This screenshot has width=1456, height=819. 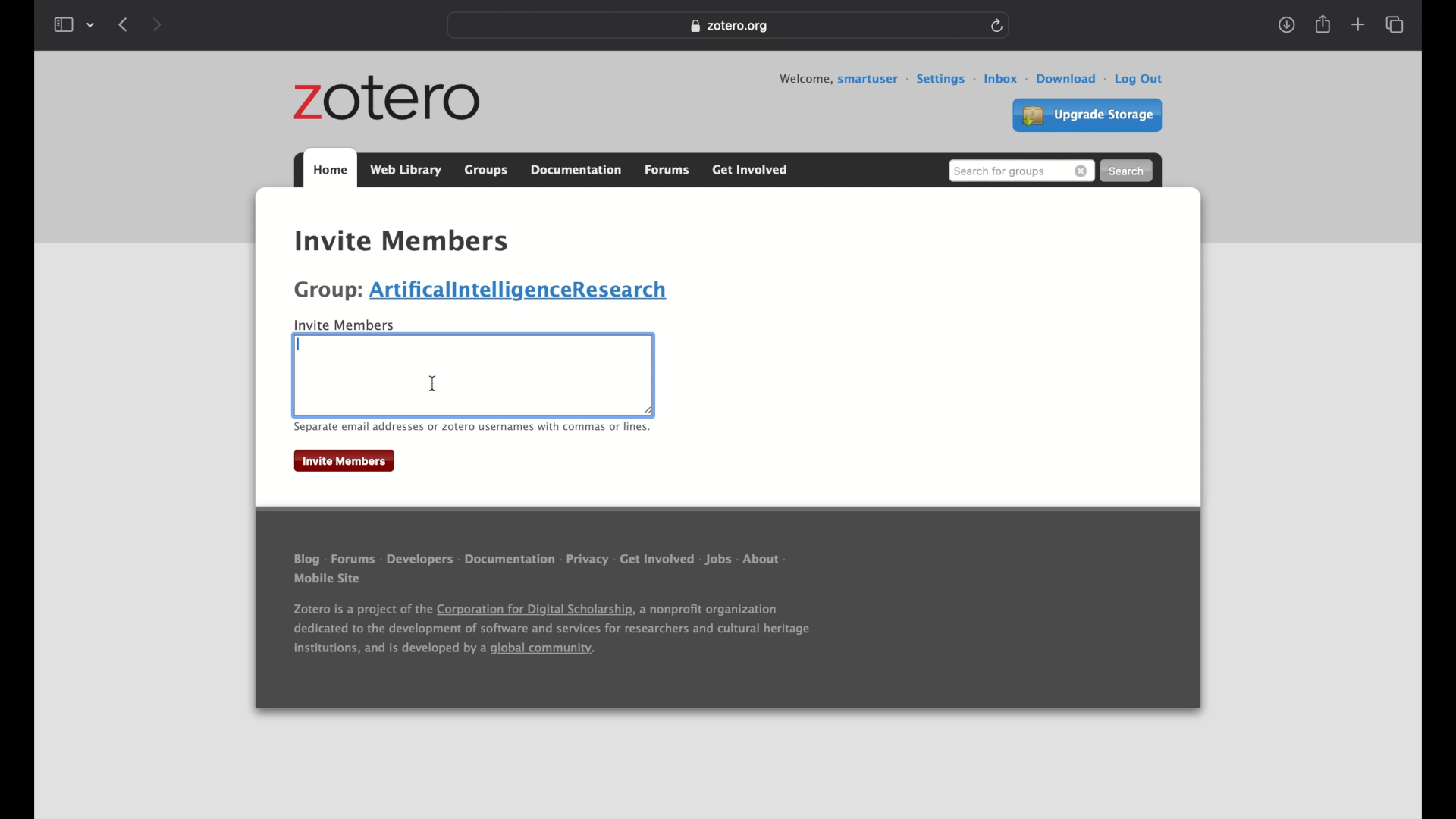 I want to click on invite members, so click(x=403, y=243).